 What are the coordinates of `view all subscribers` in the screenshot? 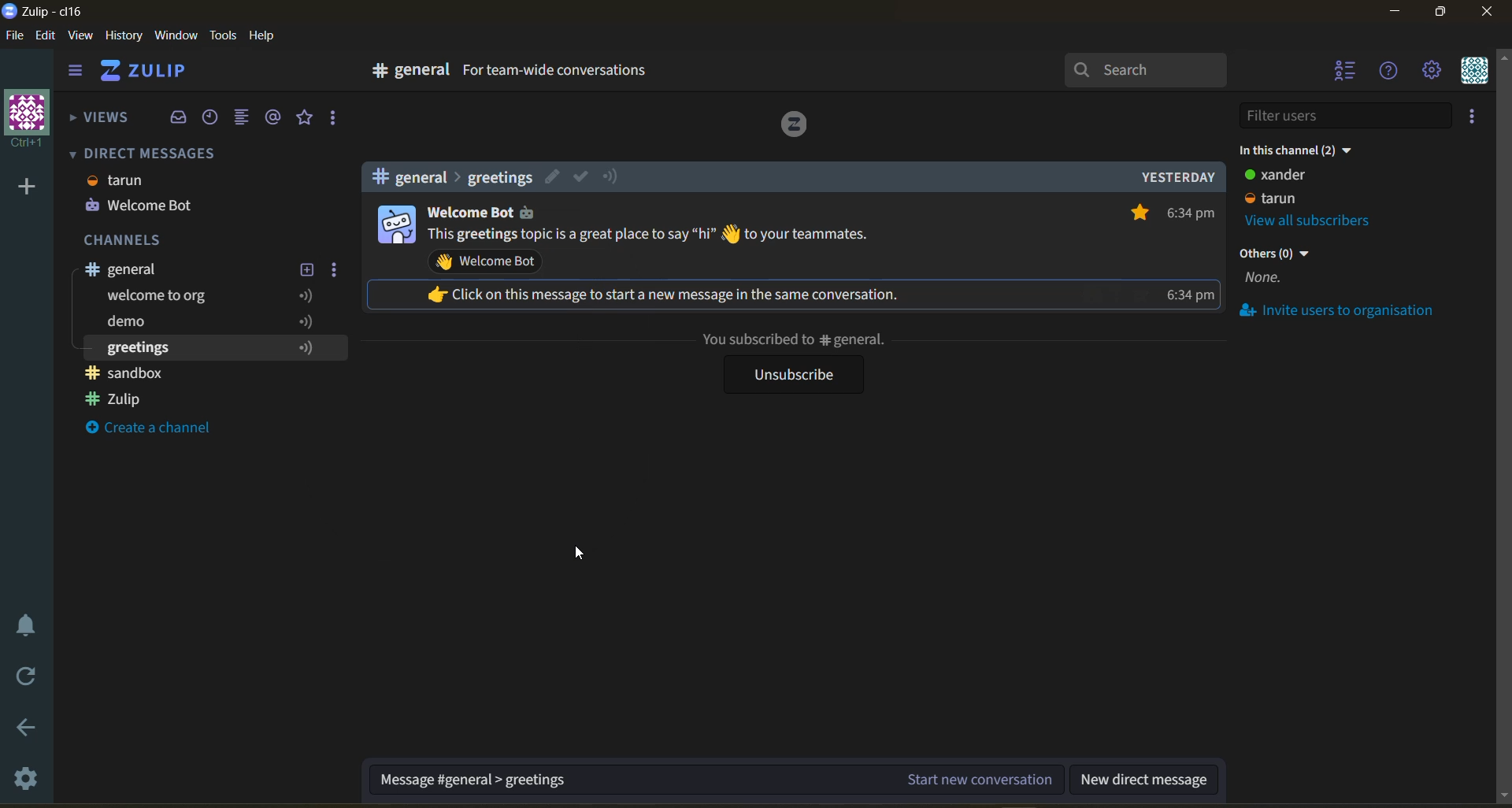 It's located at (1321, 220).